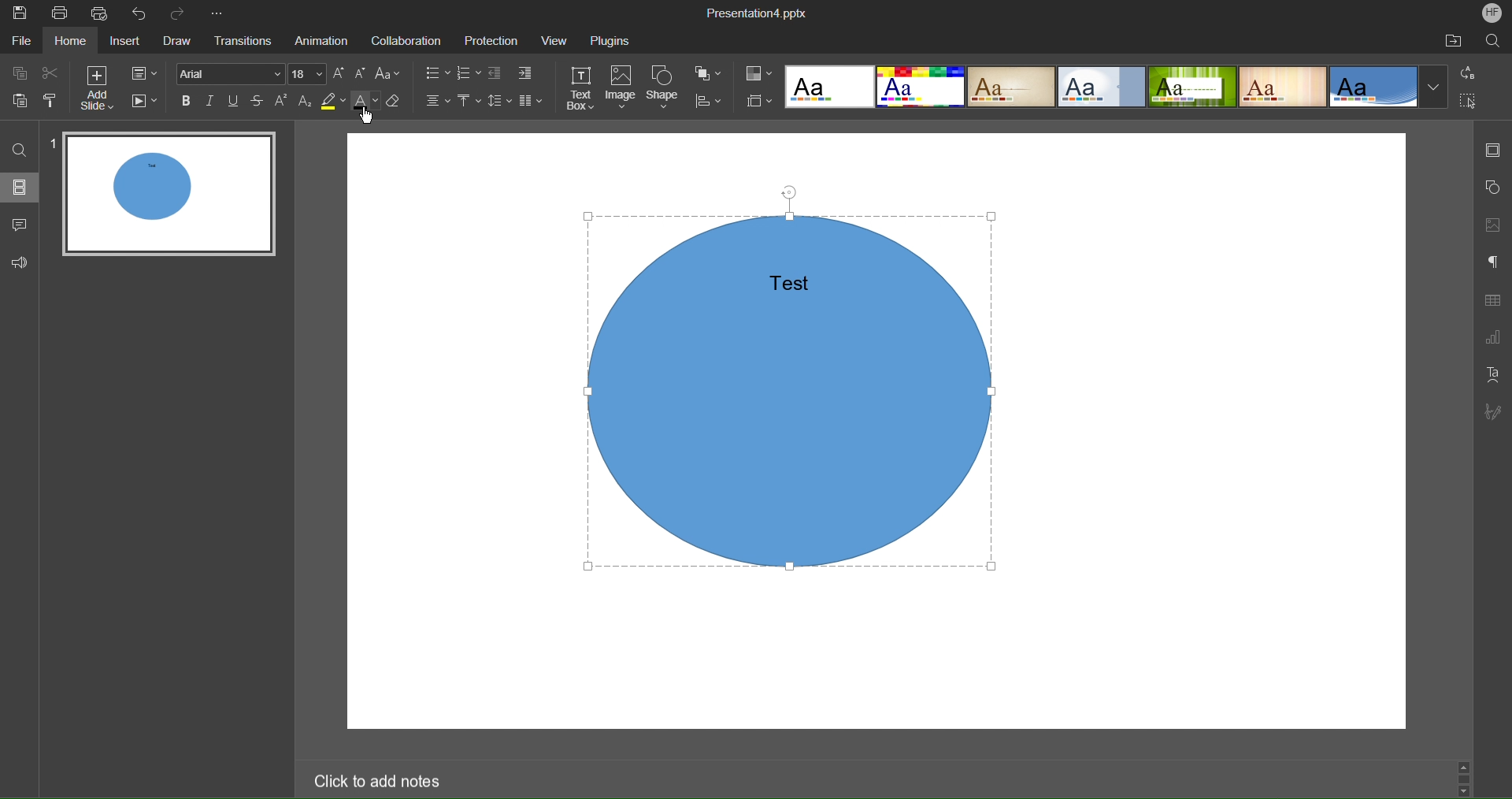 The height and width of the screenshot is (799, 1512). What do you see at coordinates (707, 72) in the screenshot?
I see `Arrange` at bounding box center [707, 72].